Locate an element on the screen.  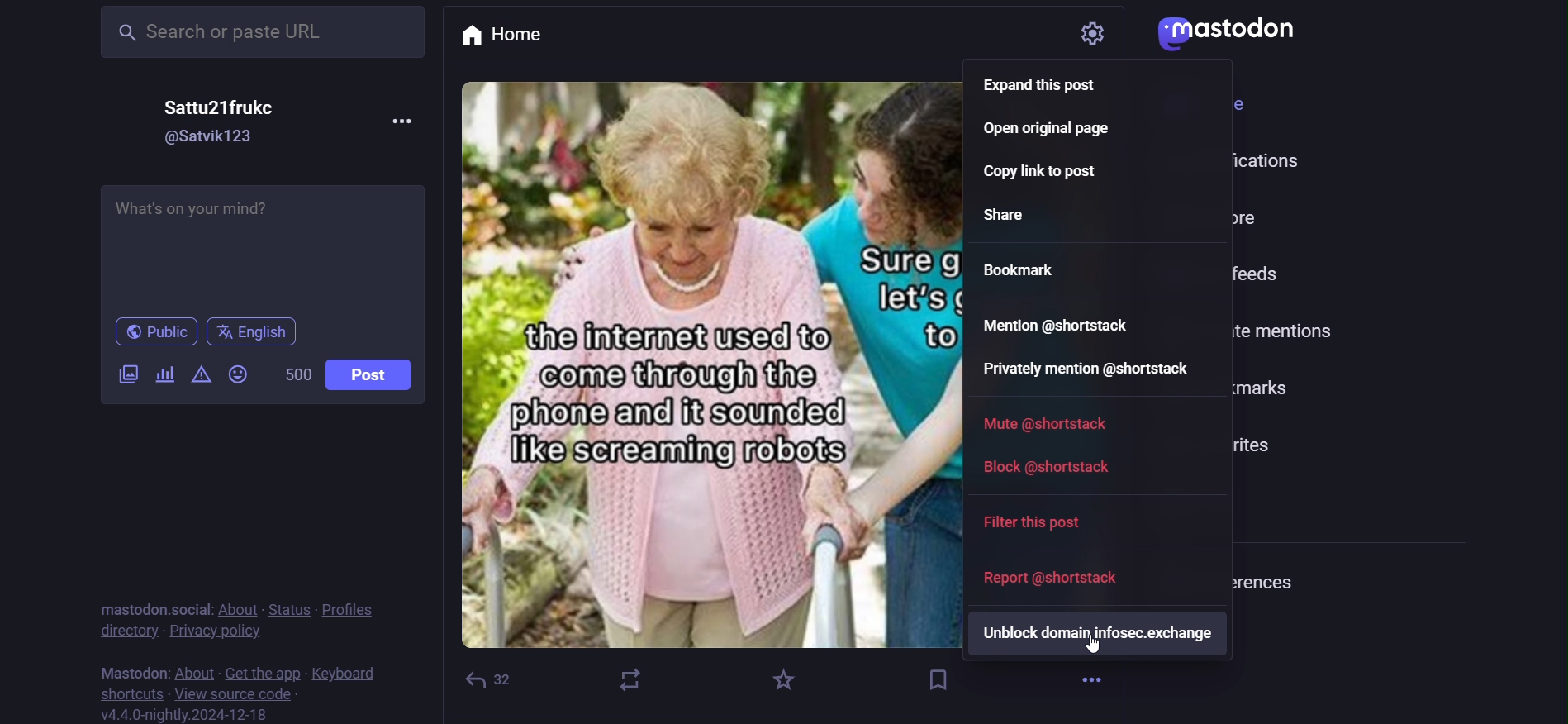
english is located at coordinates (254, 331).